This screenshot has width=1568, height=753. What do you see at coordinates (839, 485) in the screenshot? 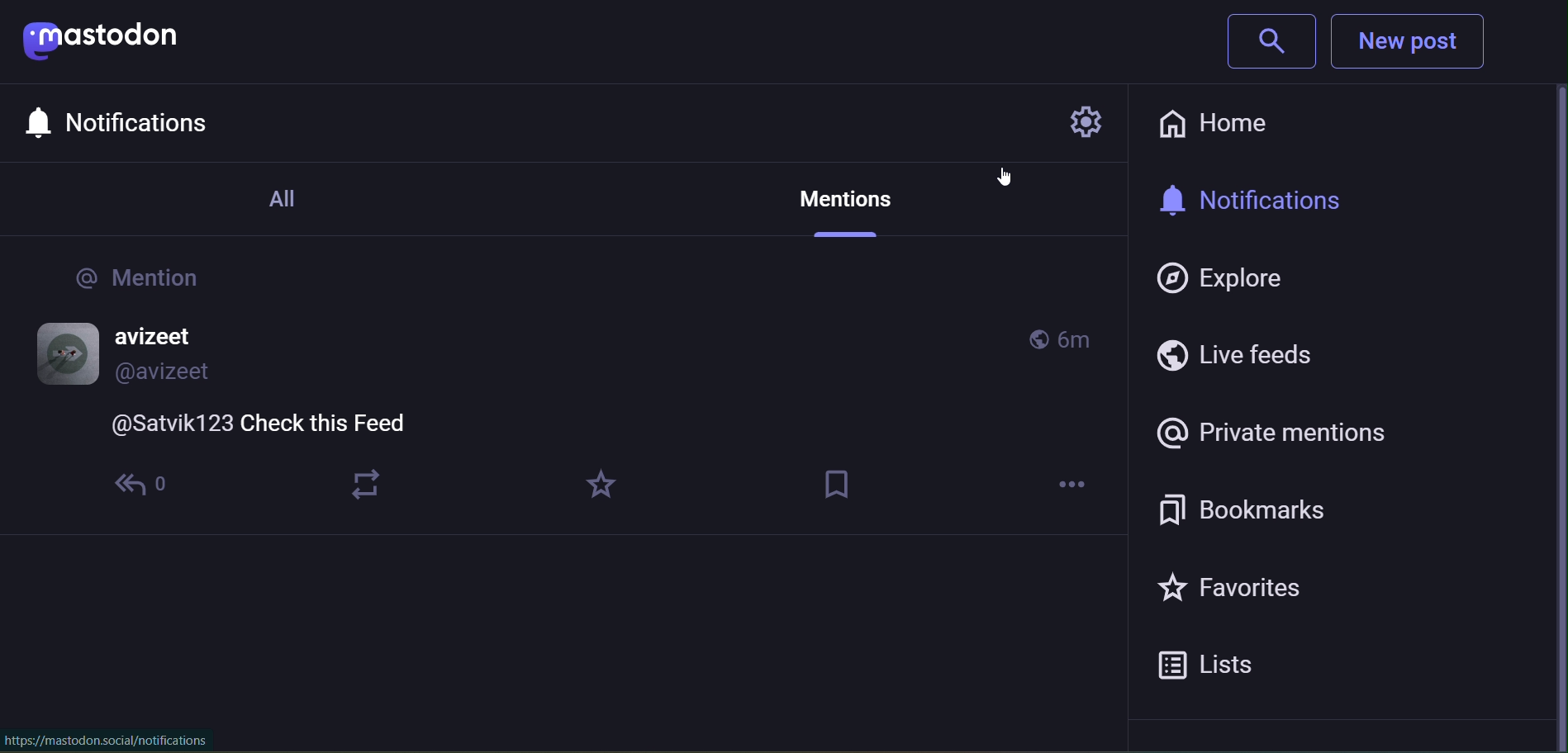
I see `bookmark` at bounding box center [839, 485].